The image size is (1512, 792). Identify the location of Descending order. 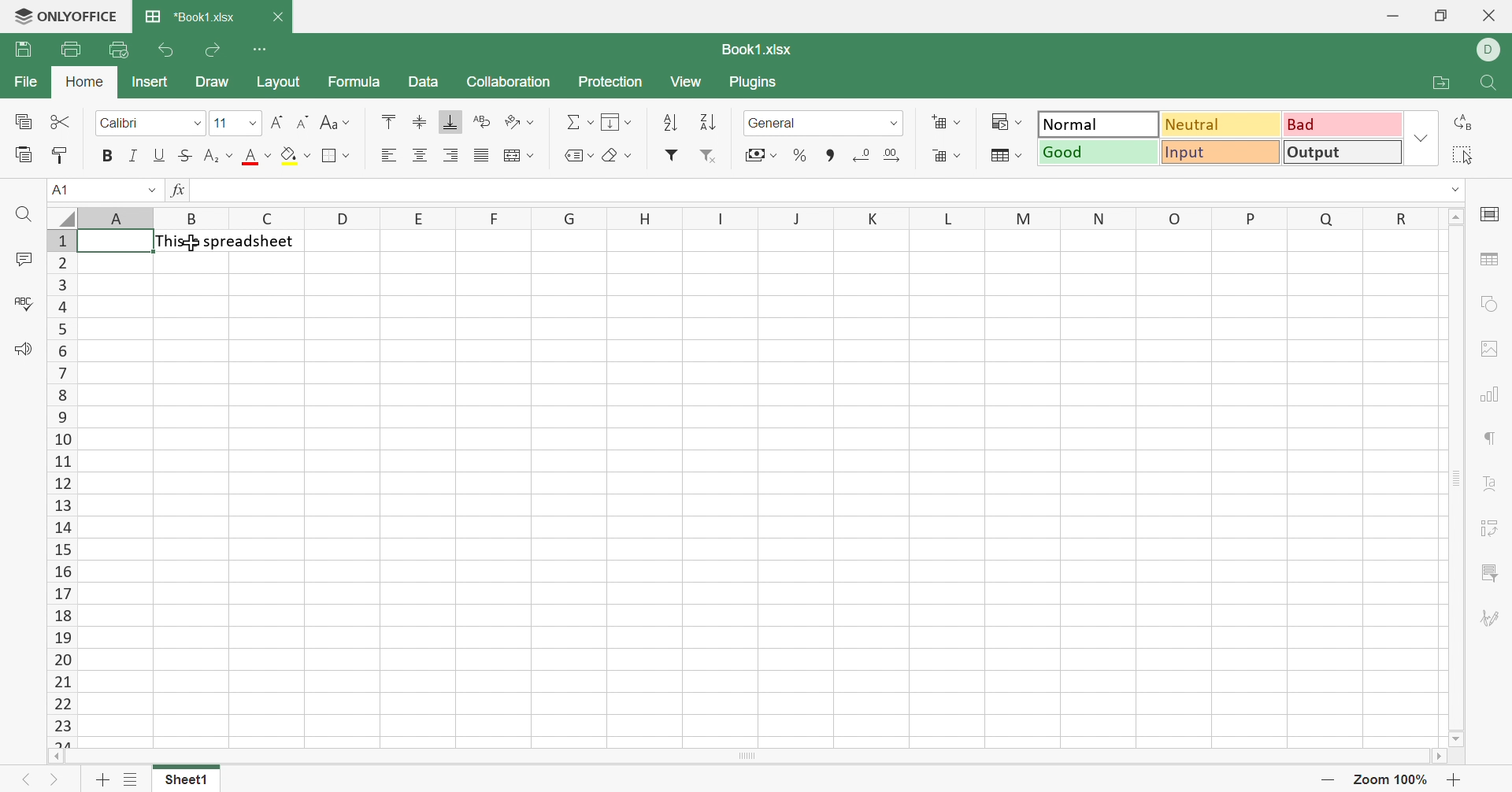
(706, 120).